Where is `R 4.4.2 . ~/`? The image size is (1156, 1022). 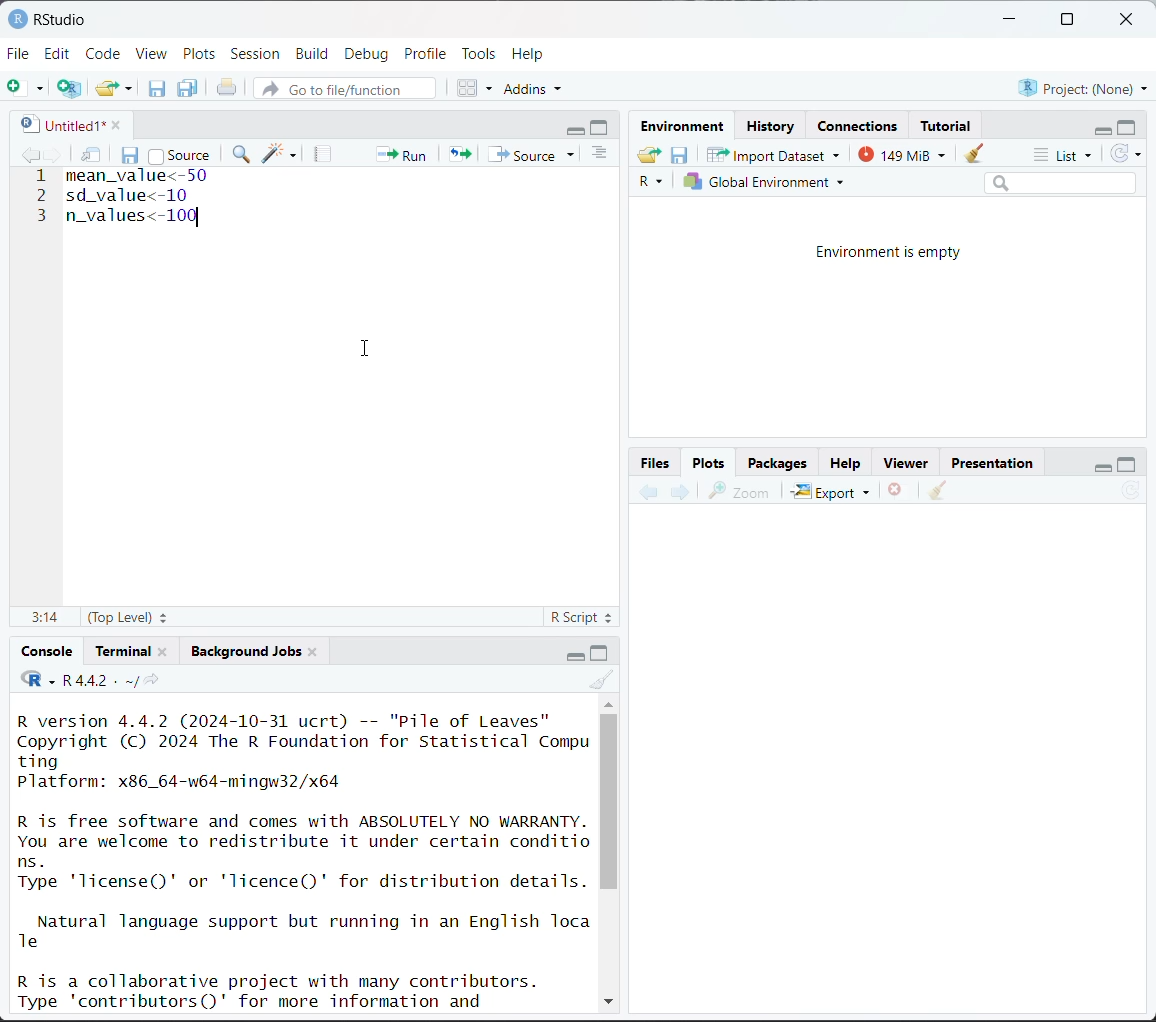
R 4.4.2 . ~/ is located at coordinates (99, 680).